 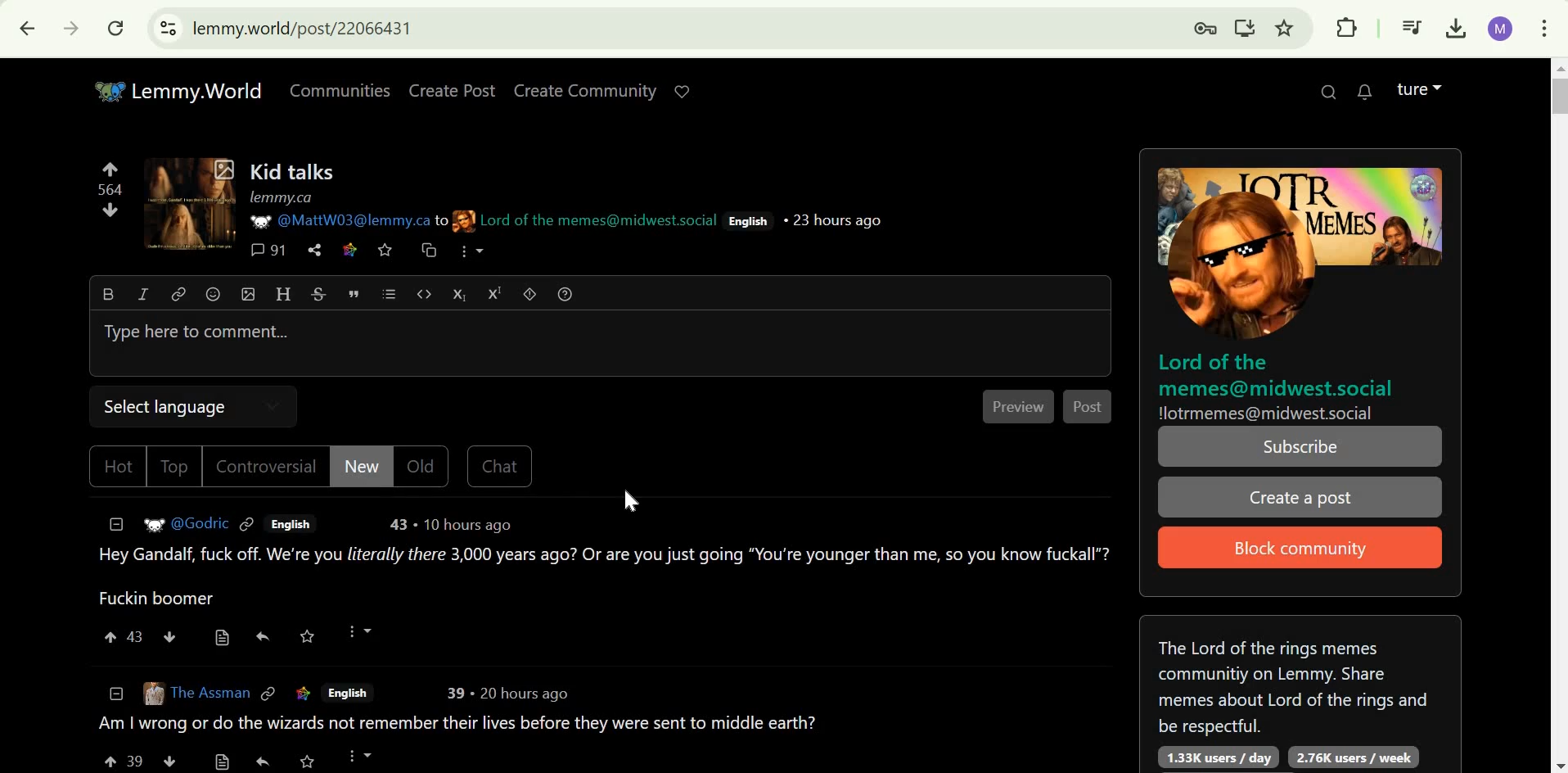 What do you see at coordinates (211, 694) in the screenshot?
I see `username` at bounding box center [211, 694].